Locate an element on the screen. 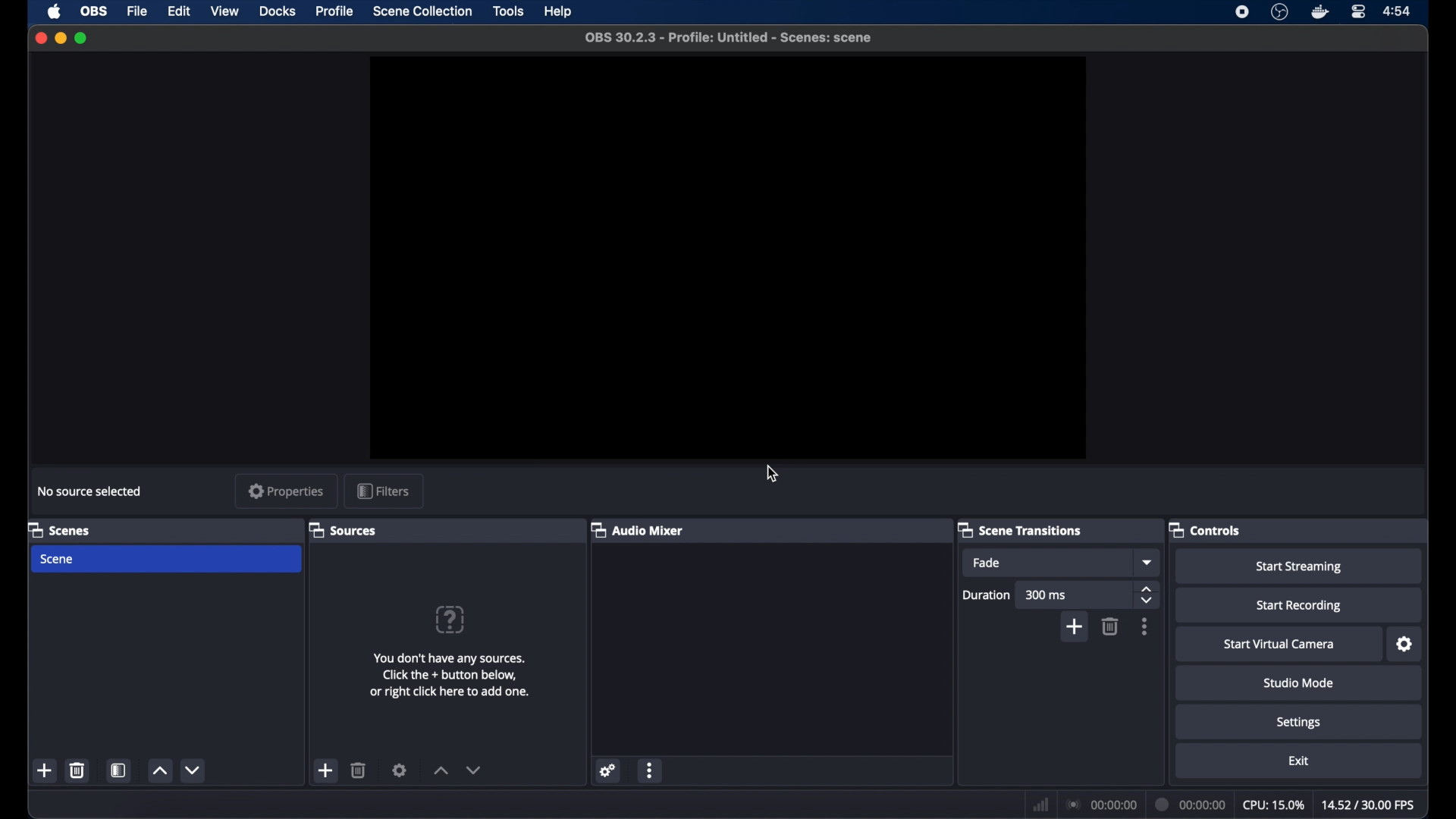  OBS 30.2.3 - Profile: Untitled -Scenes : scene is located at coordinates (727, 37).